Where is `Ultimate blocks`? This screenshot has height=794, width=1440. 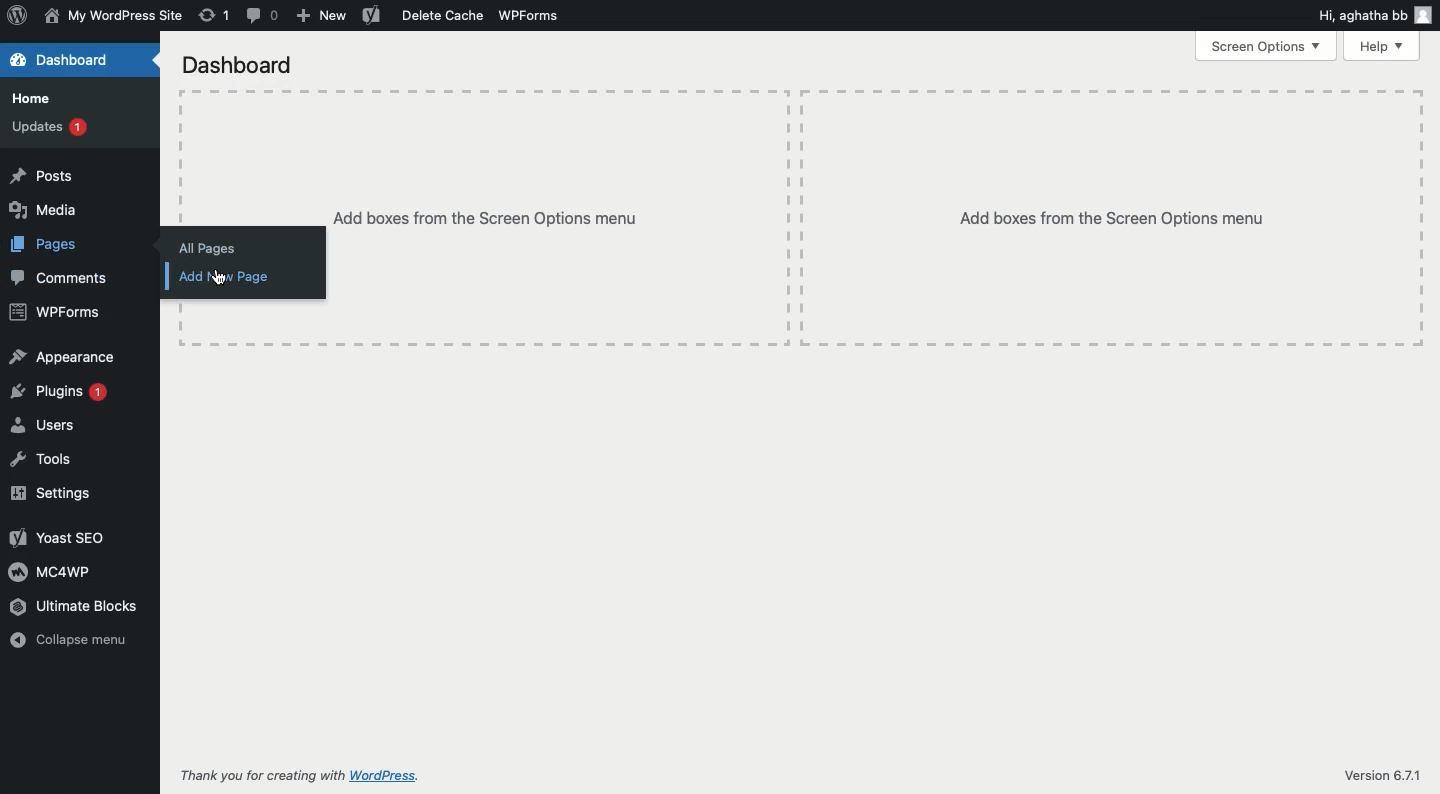 Ultimate blocks is located at coordinates (74, 606).